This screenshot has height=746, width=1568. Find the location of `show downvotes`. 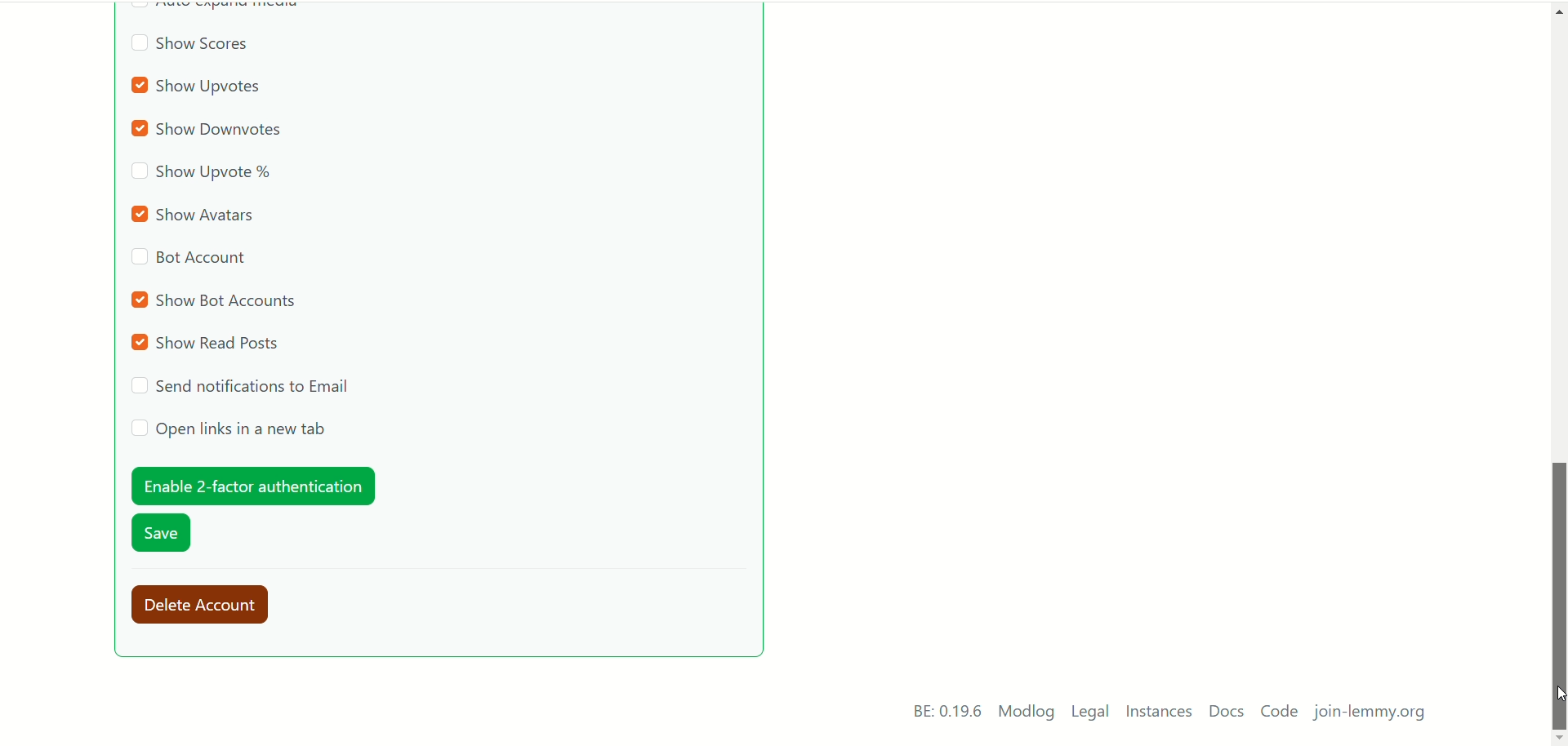

show downvotes is located at coordinates (212, 131).